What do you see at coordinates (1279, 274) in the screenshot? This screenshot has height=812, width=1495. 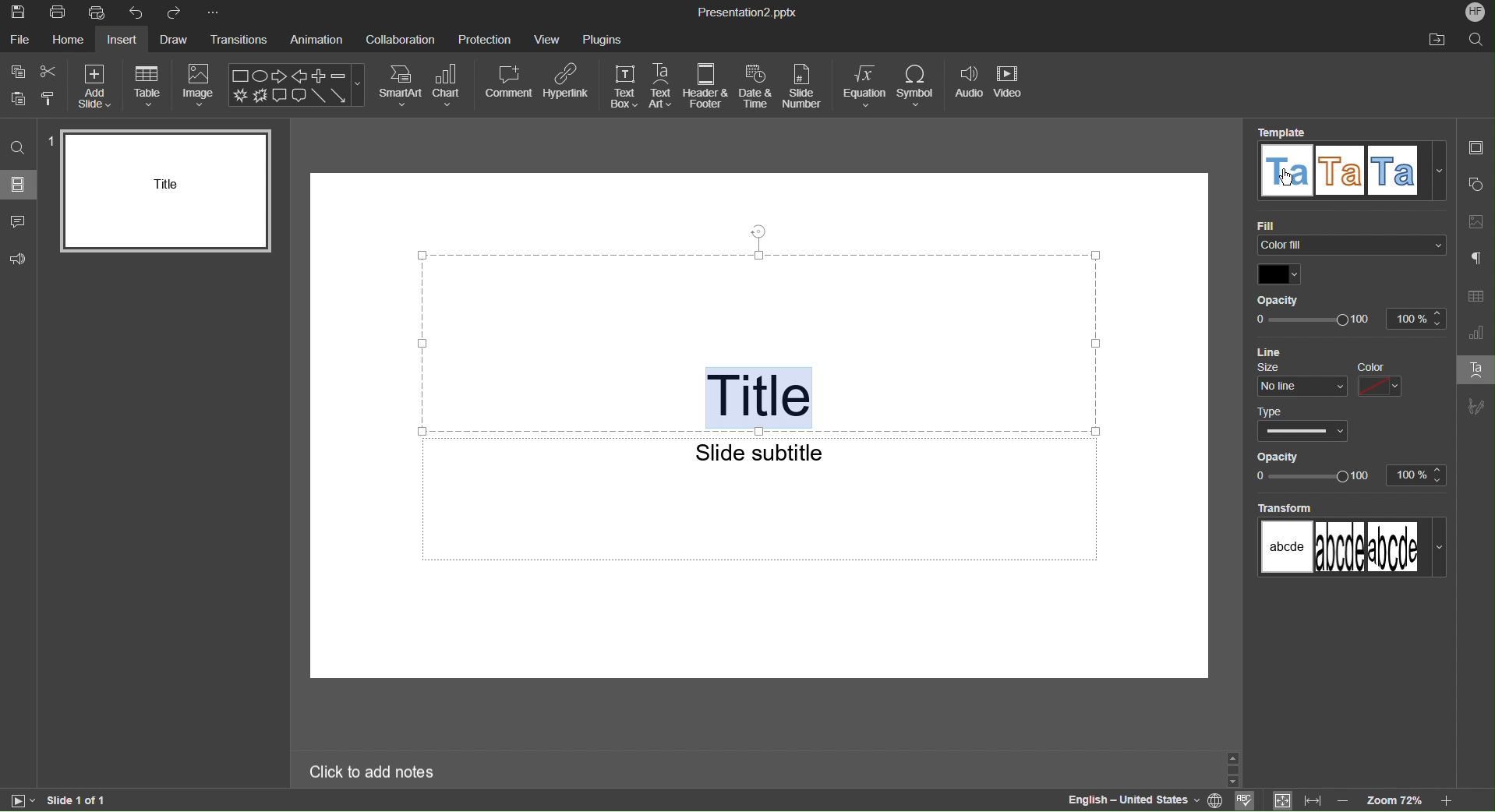 I see `Color` at bounding box center [1279, 274].